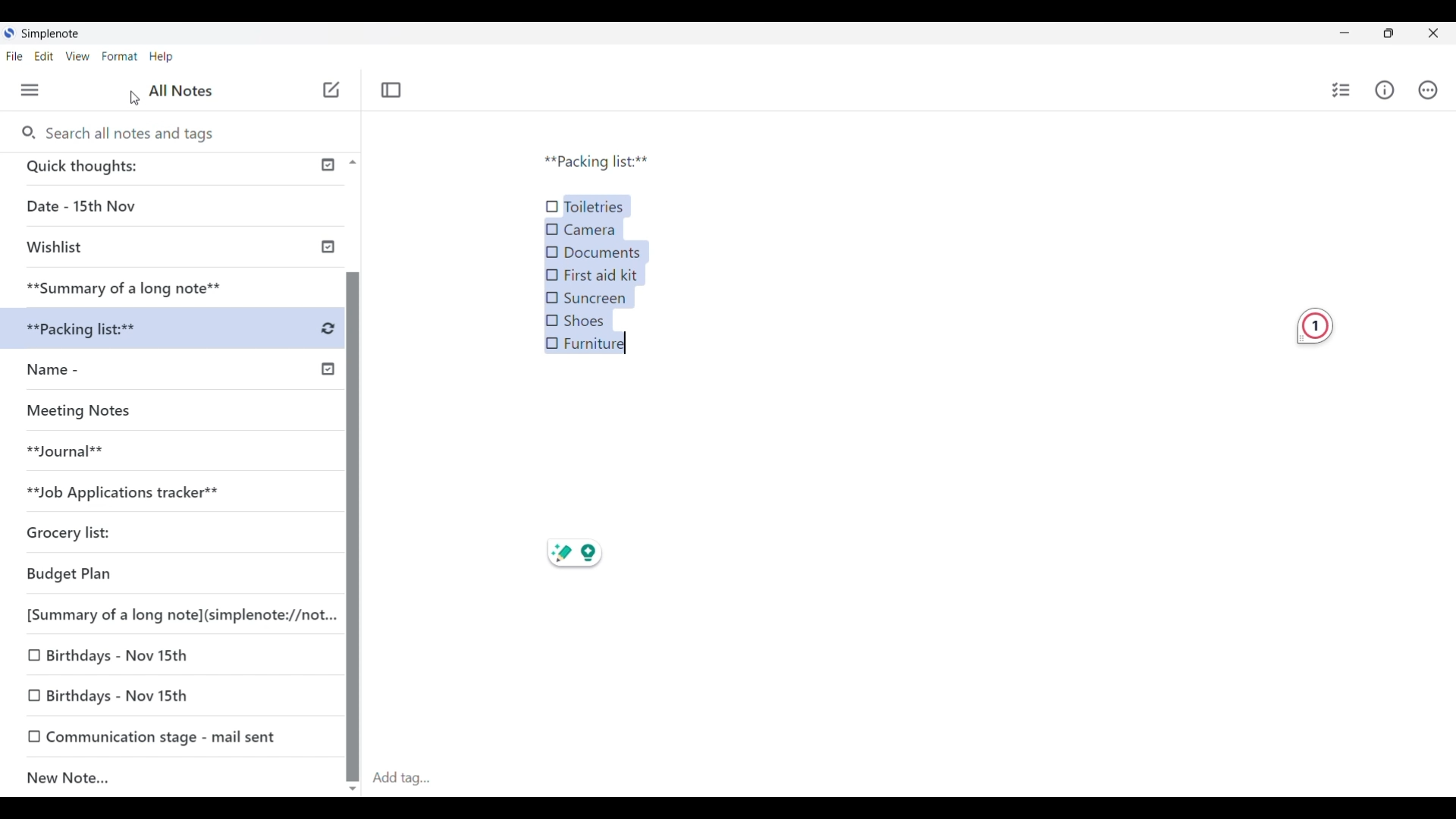 This screenshot has height=819, width=1456. I want to click on O Birthdays - Nov 15th, so click(115, 654).